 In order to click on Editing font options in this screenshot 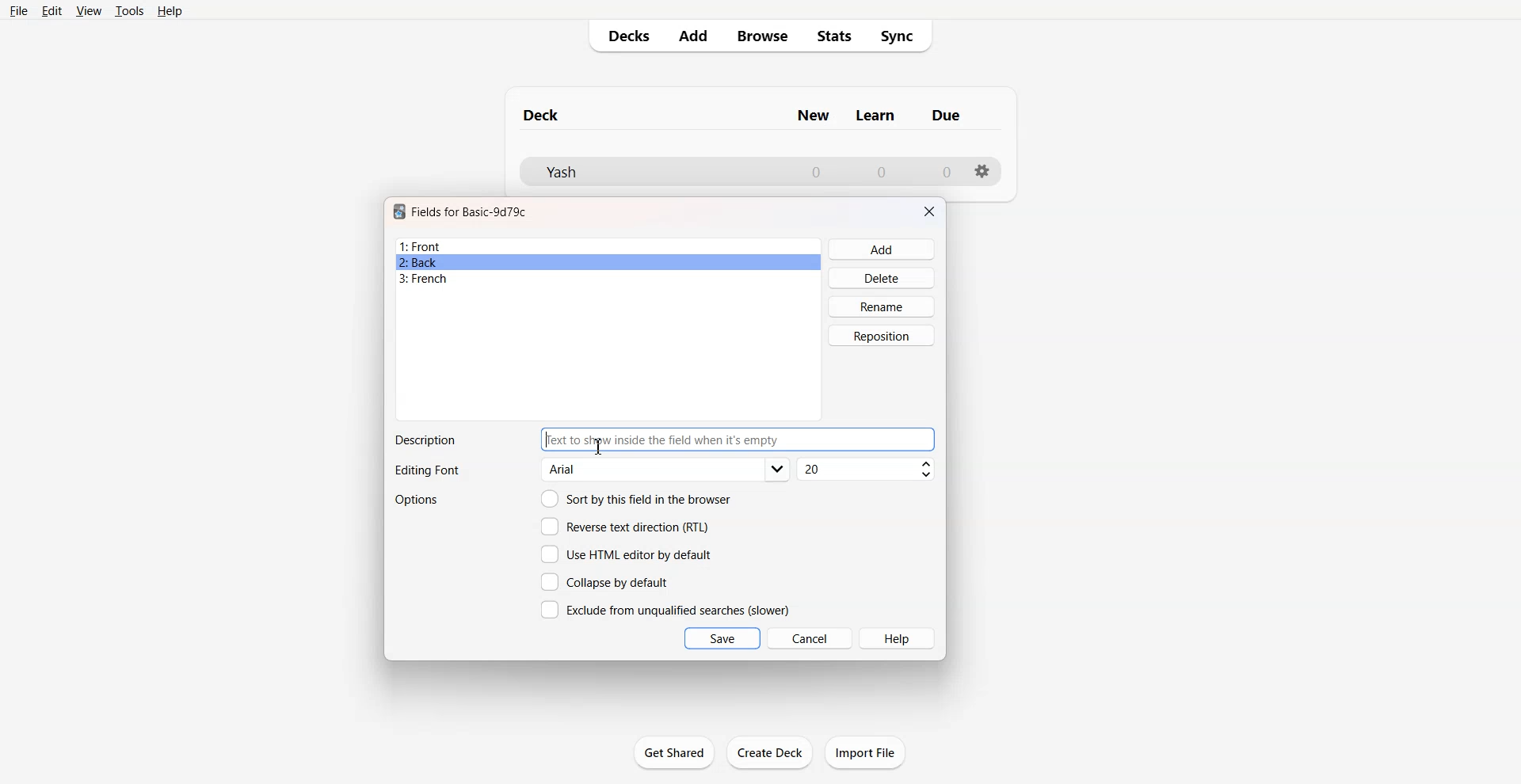, I will do `click(666, 470)`.